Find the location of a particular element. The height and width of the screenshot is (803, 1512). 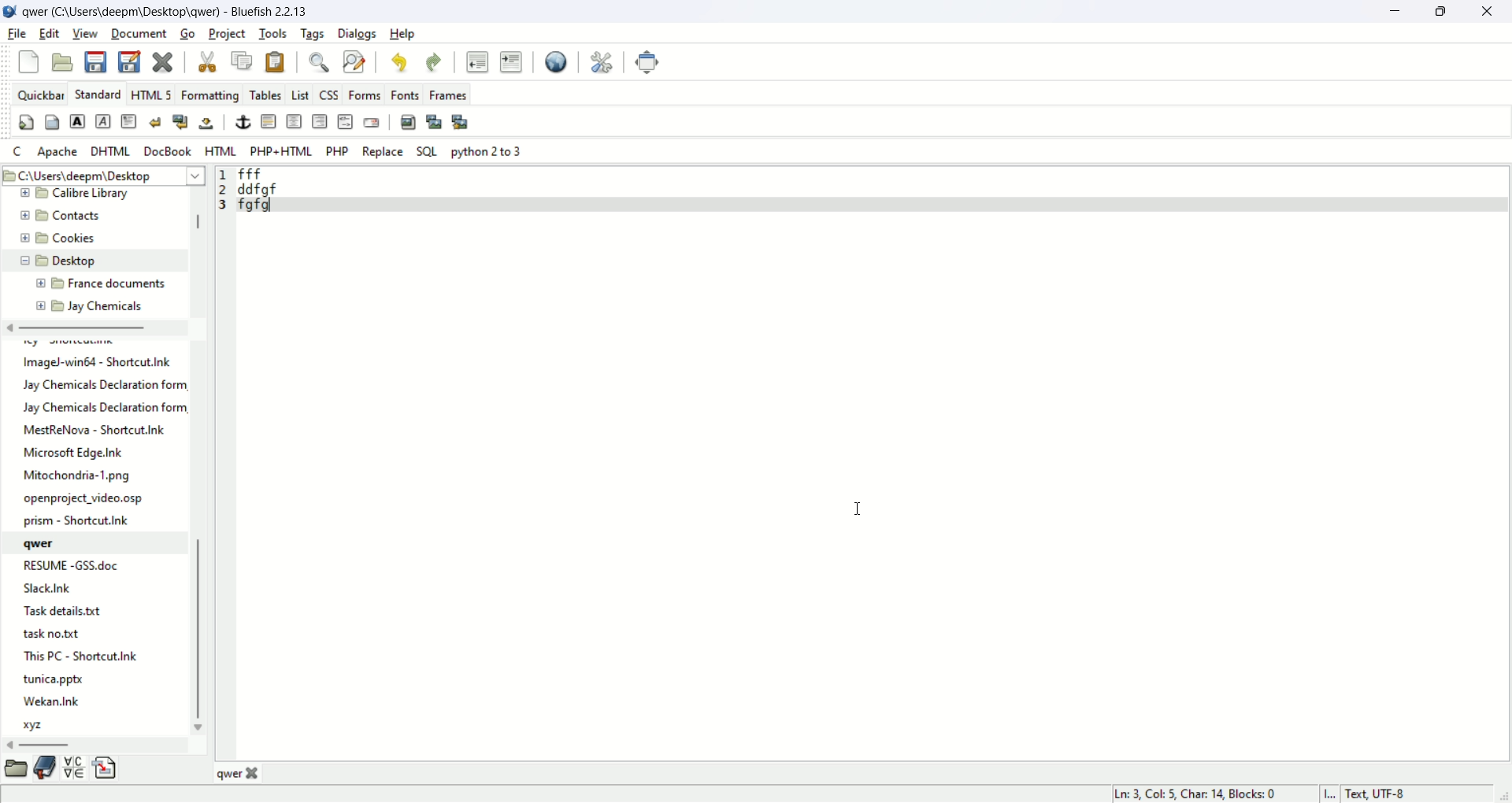

title is located at coordinates (257, 775).